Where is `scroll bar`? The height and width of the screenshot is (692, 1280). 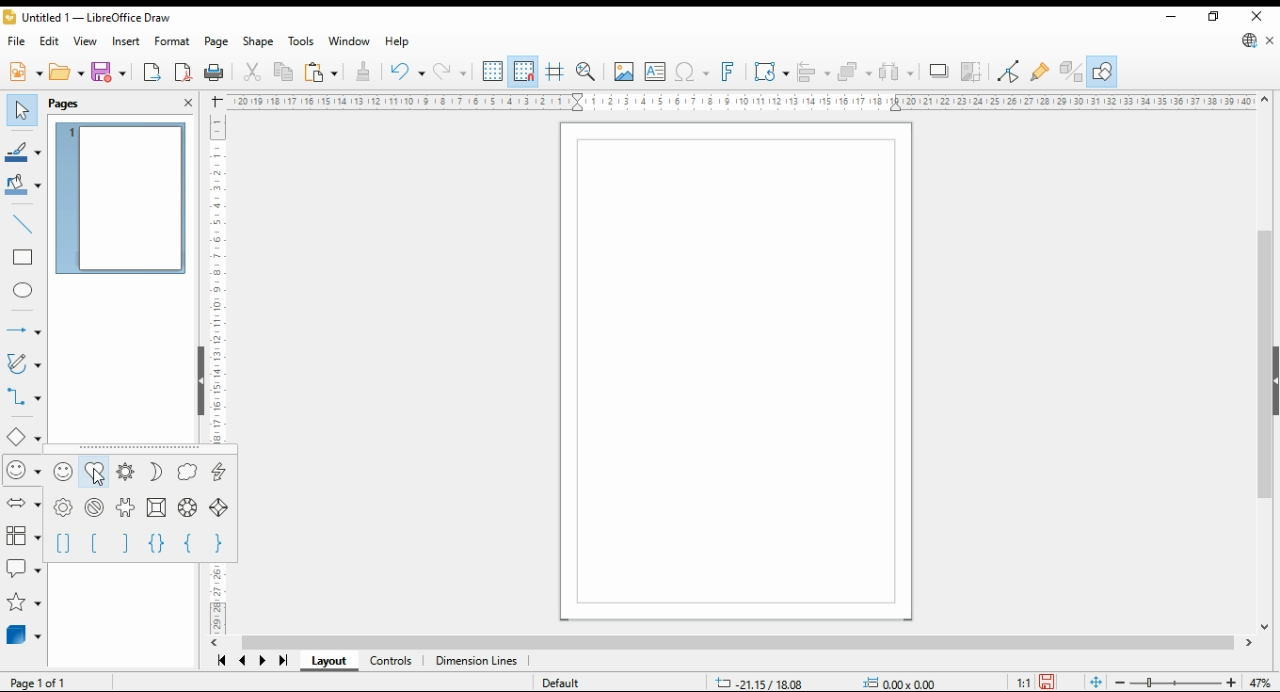
scroll bar is located at coordinates (1266, 360).